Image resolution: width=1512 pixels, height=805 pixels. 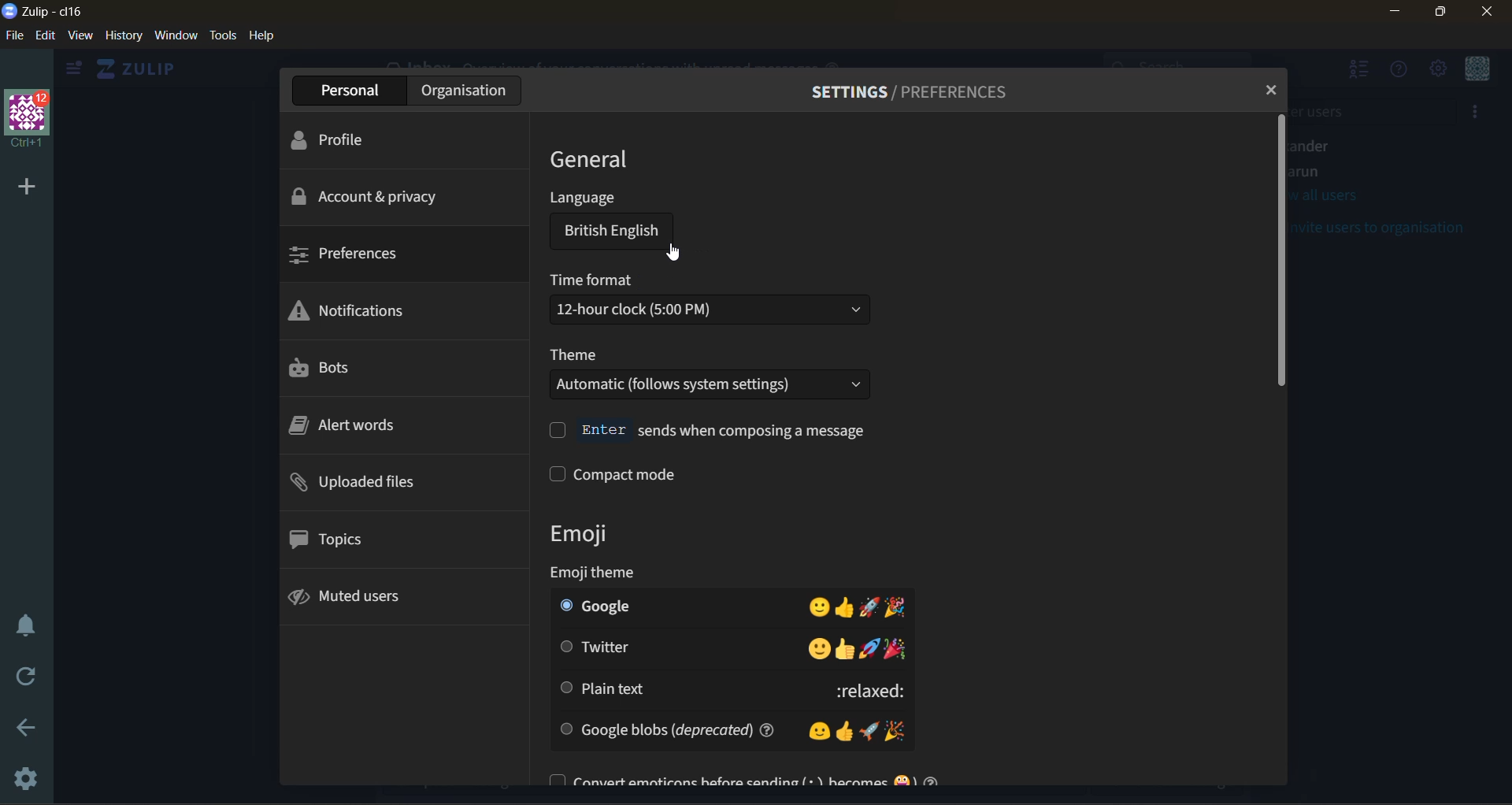 I want to click on enter send, so click(x=707, y=430).